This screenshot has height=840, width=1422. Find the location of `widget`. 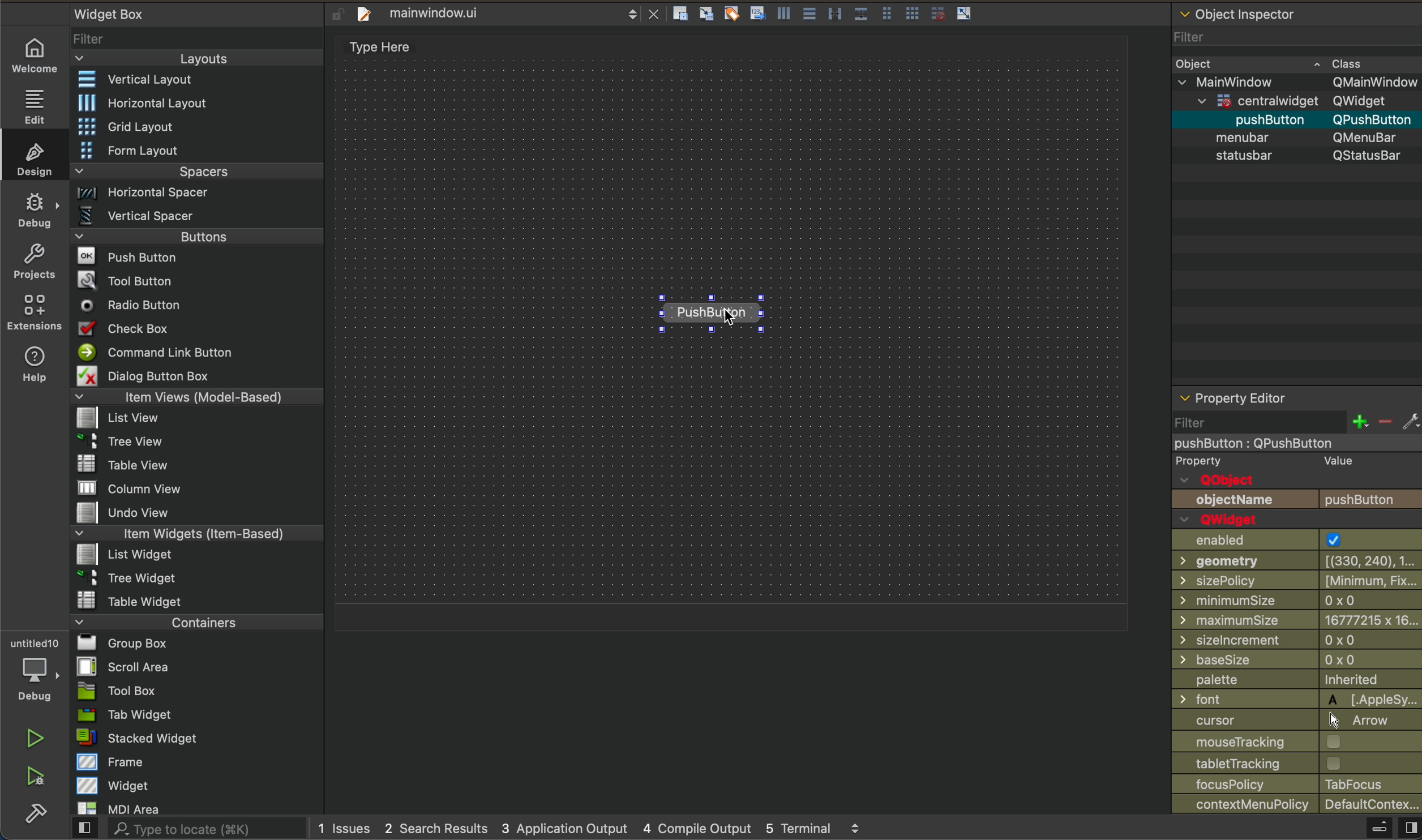

widget is located at coordinates (196, 787).